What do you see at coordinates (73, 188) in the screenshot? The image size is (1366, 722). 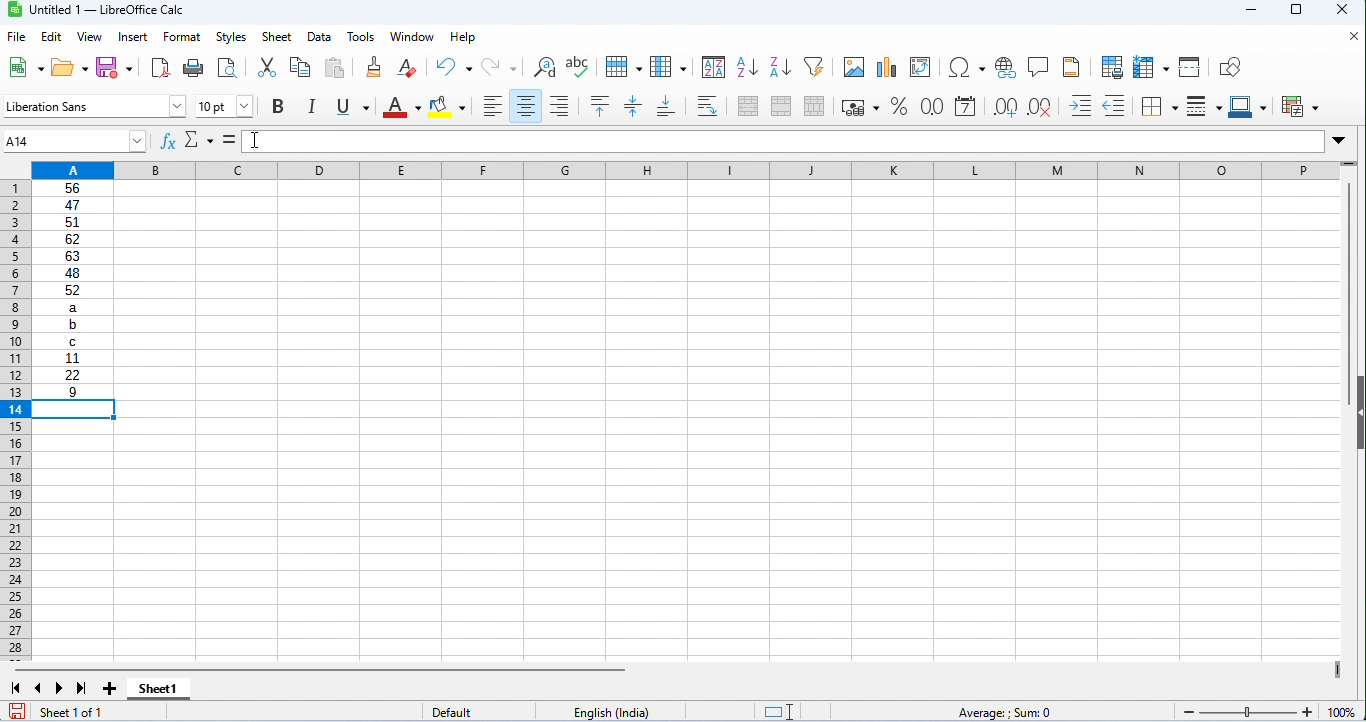 I see `56` at bounding box center [73, 188].